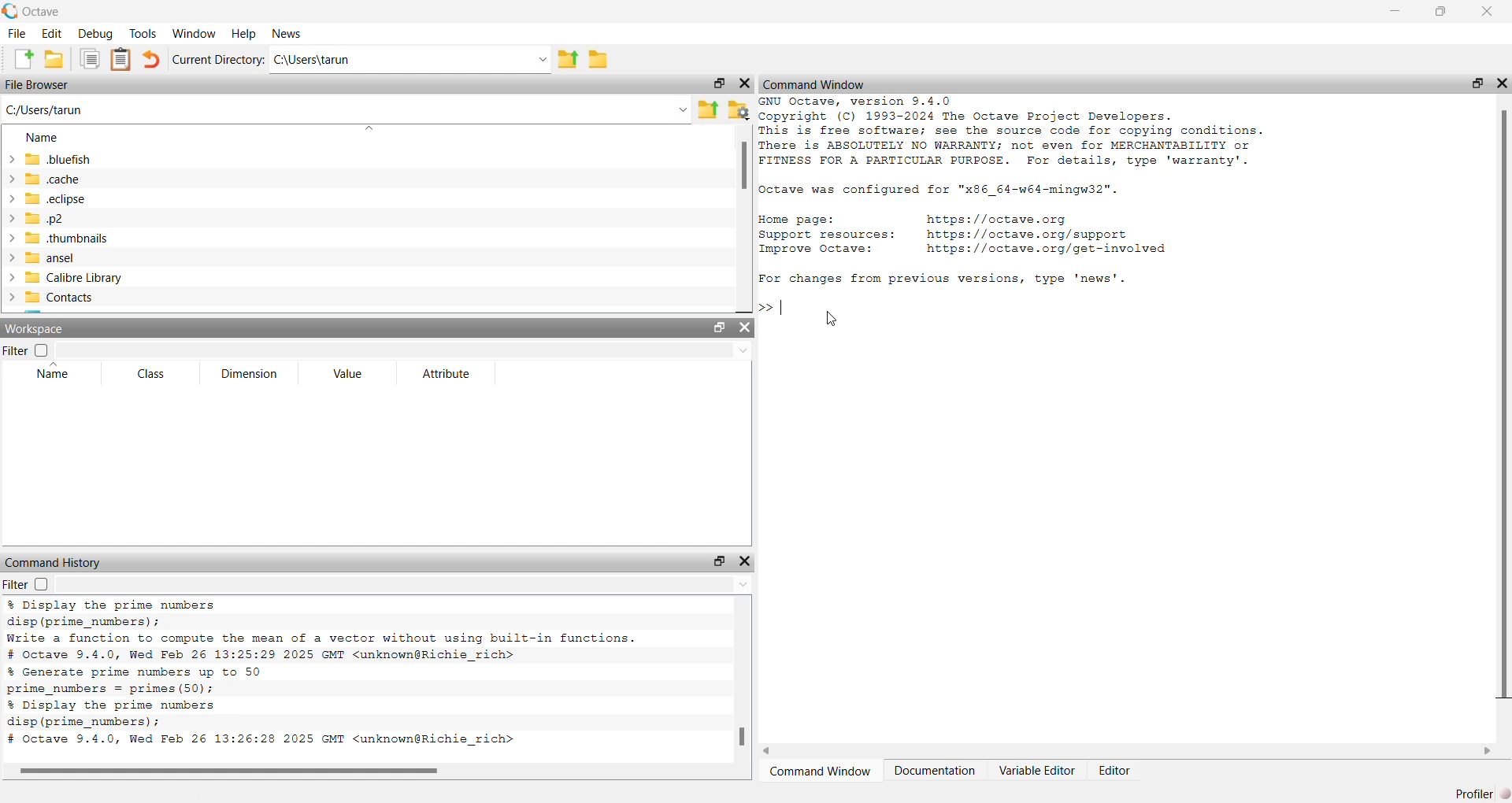 This screenshot has height=803, width=1512. What do you see at coordinates (1010, 132) in the screenshot?
I see `GNU Octave, version 9.4.0

Copyright (C) 1993-2024 The Octave Project Developers.

This is free software; see the source code for copying conditions.
There is ABSOLUTELY NO WARRANTY; not even for MERCHANTABILITY or
FITNESS FOR A PARTICULAR PURPOSE. For details, type 'warranty'.` at bounding box center [1010, 132].